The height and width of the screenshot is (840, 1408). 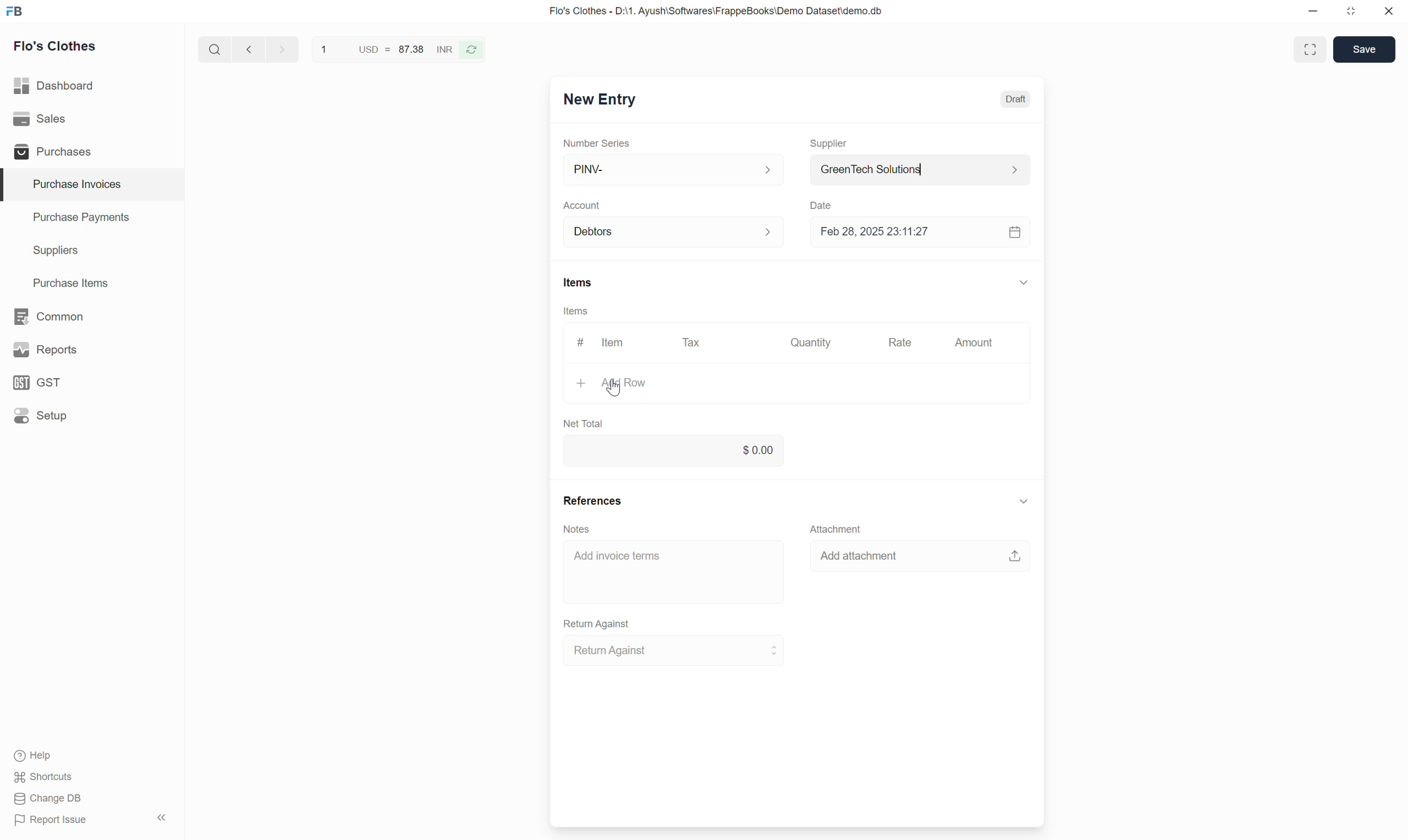 I want to click on New Entry, so click(x=600, y=100).